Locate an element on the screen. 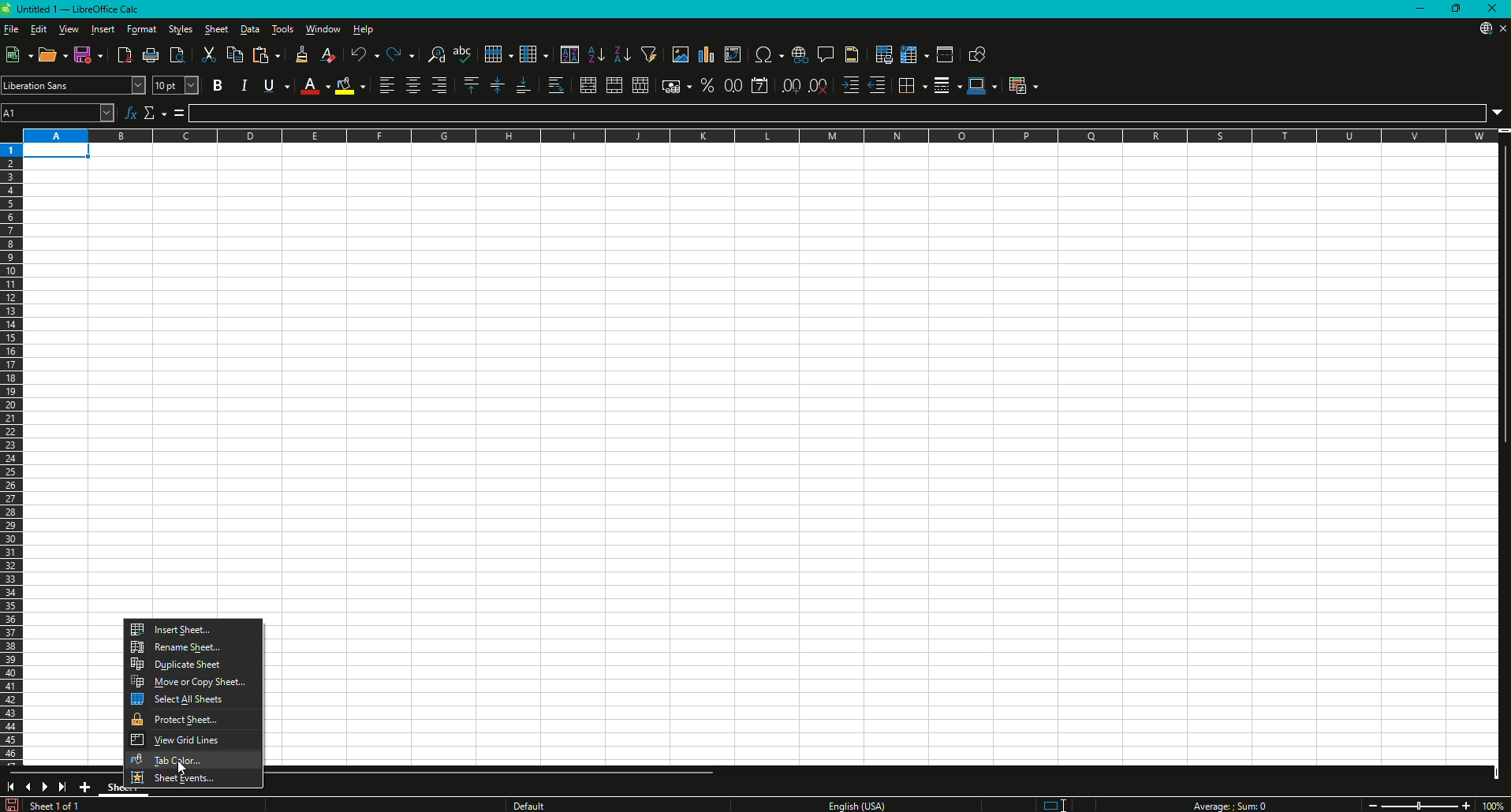 Image resolution: width=1511 pixels, height=812 pixels. Conditional is located at coordinates (1023, 86).